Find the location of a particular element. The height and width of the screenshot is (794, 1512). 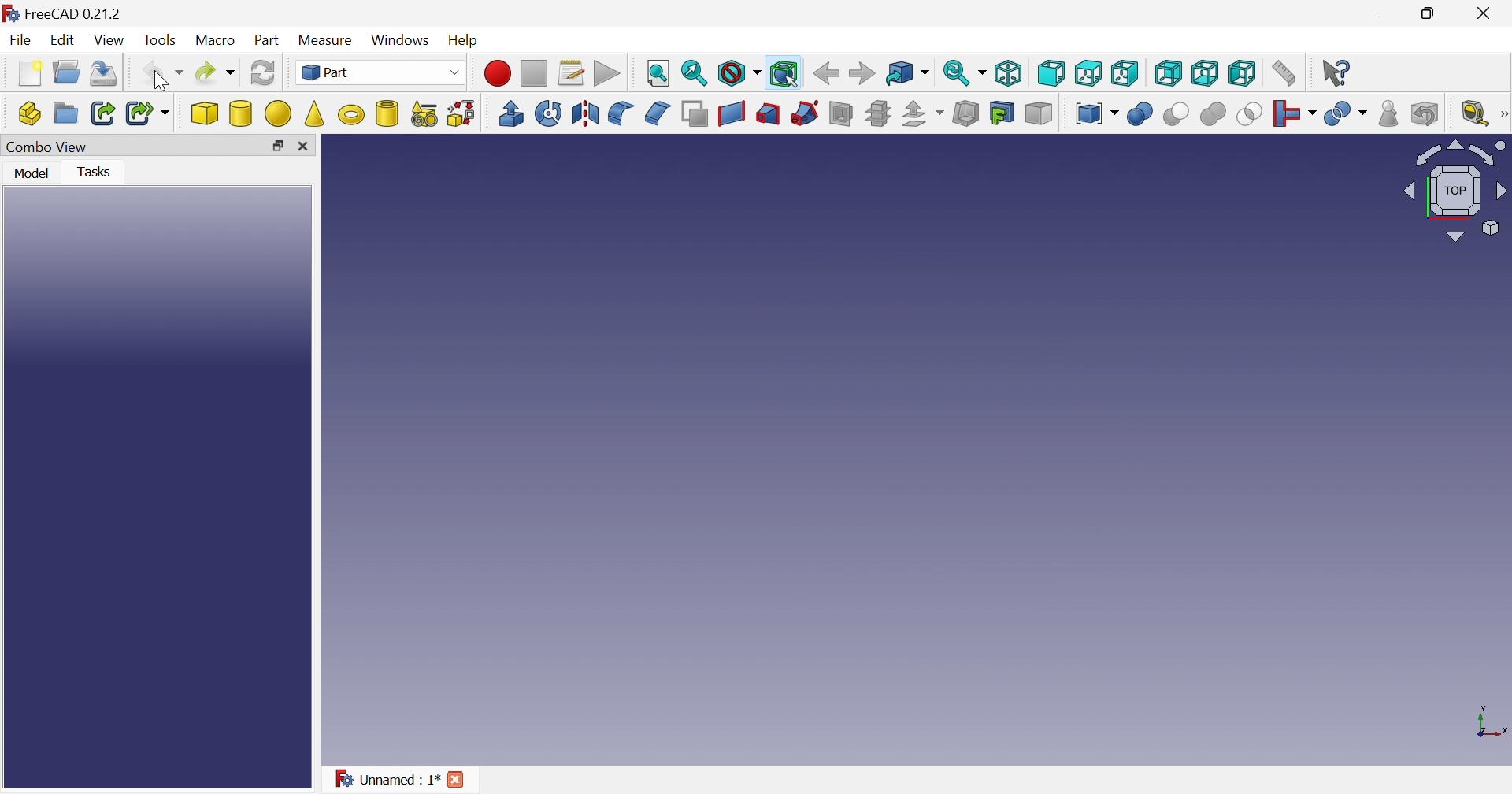

Refresh is located at coordinates (264, 72).